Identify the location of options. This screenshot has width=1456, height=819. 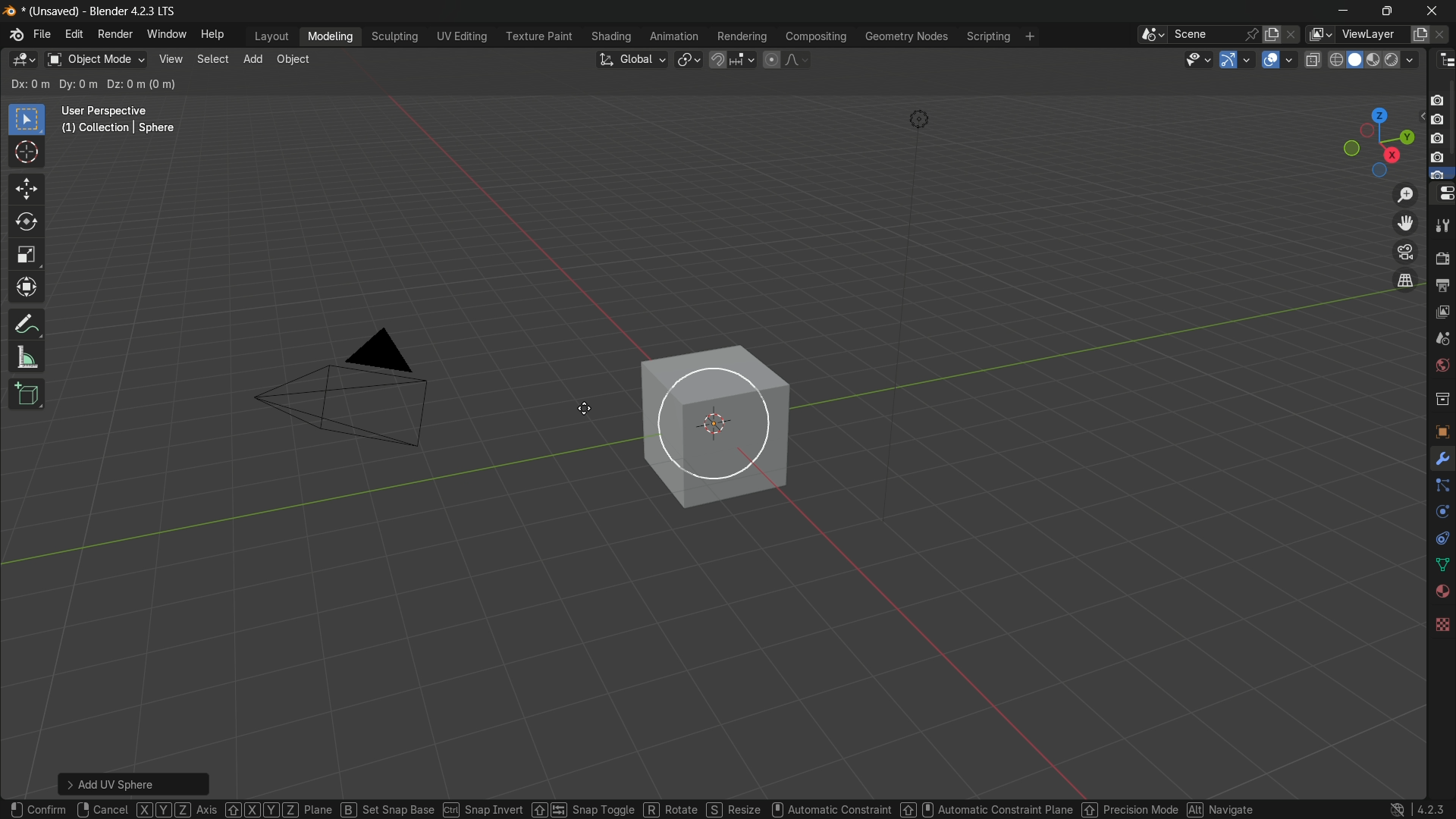
(1389, 83).